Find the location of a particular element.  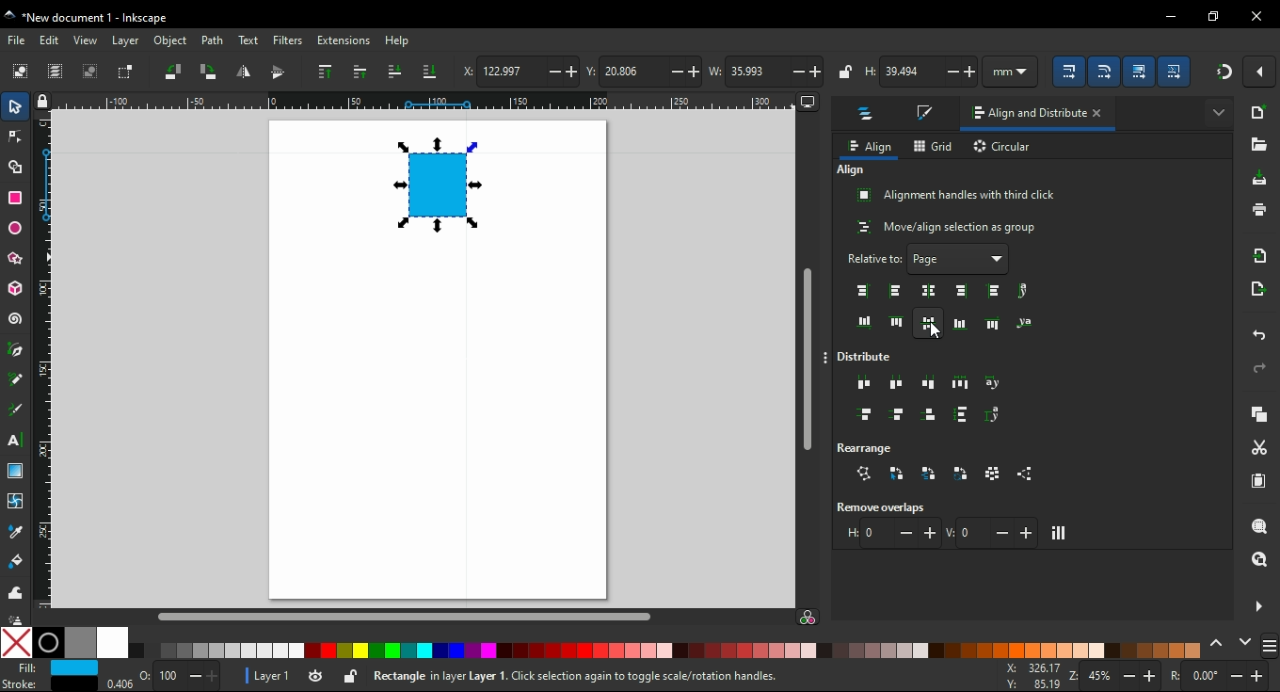

more options is located at coordinates (1258, 605).